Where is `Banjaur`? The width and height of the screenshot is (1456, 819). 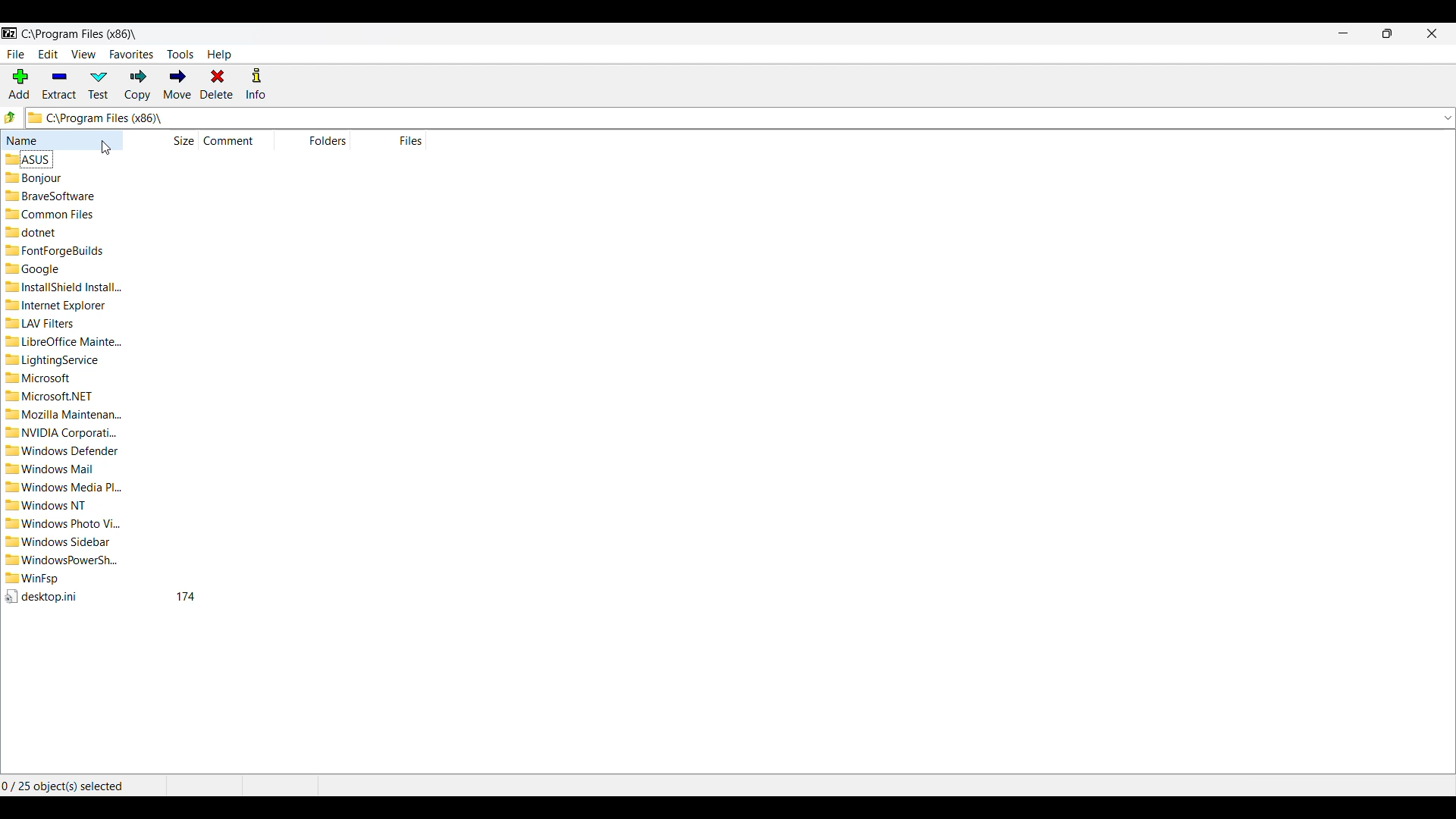
Banjaur is located at coordinates (33, 180).